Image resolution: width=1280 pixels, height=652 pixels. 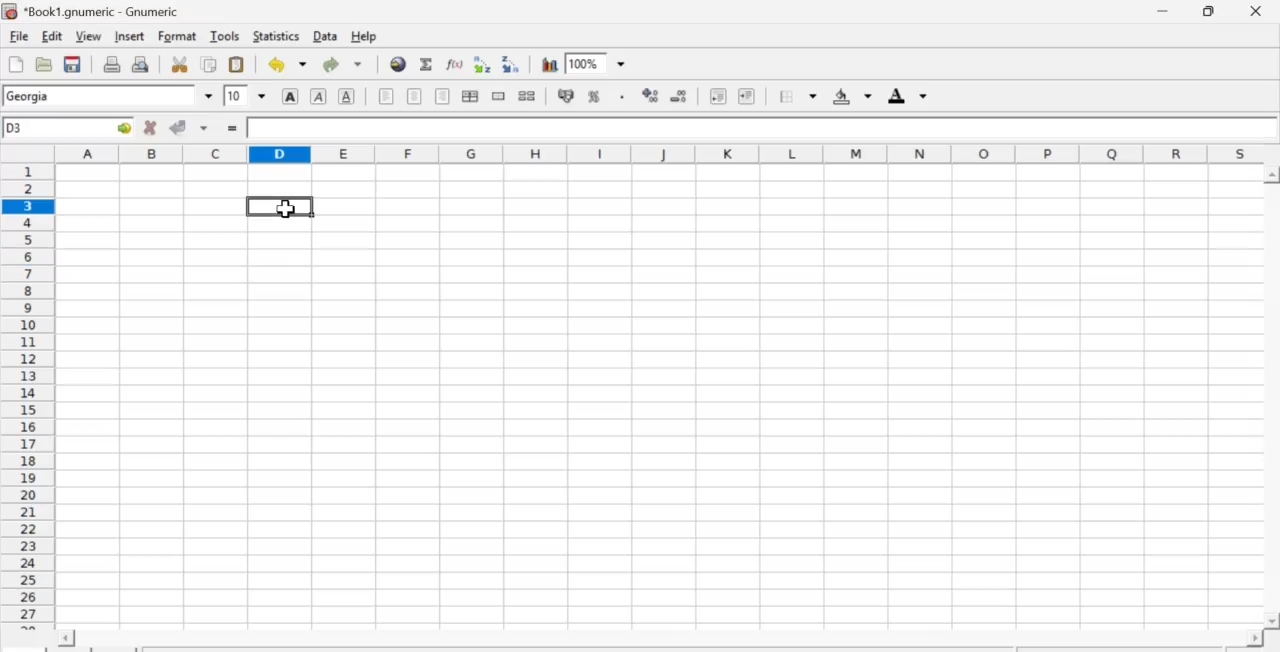 What do you see at coordinates (586, 62) in the screenshot?
I see `Zoom` at bounding box center [586, 62].